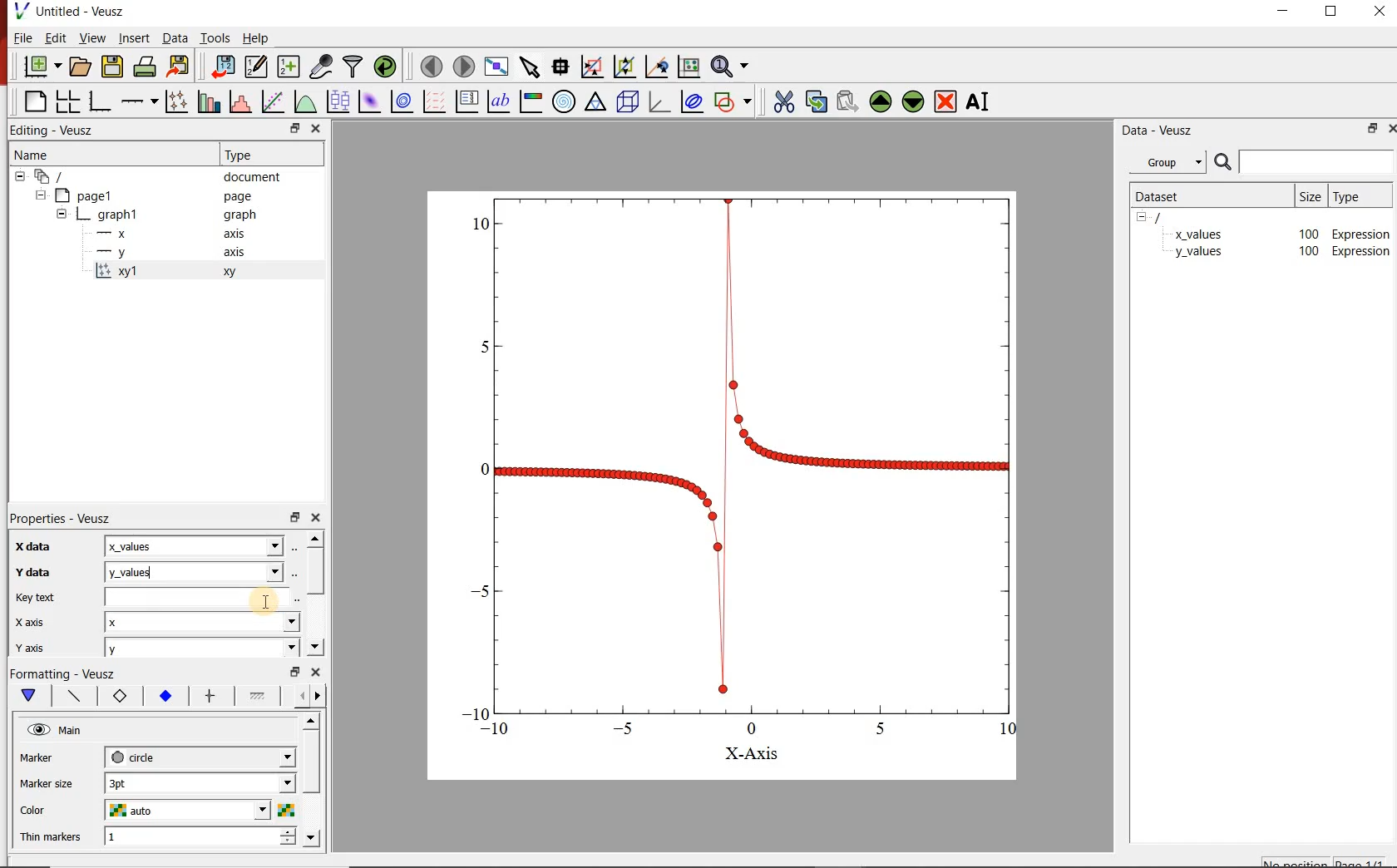  I want to click on  Xdata, so click(37, 549).